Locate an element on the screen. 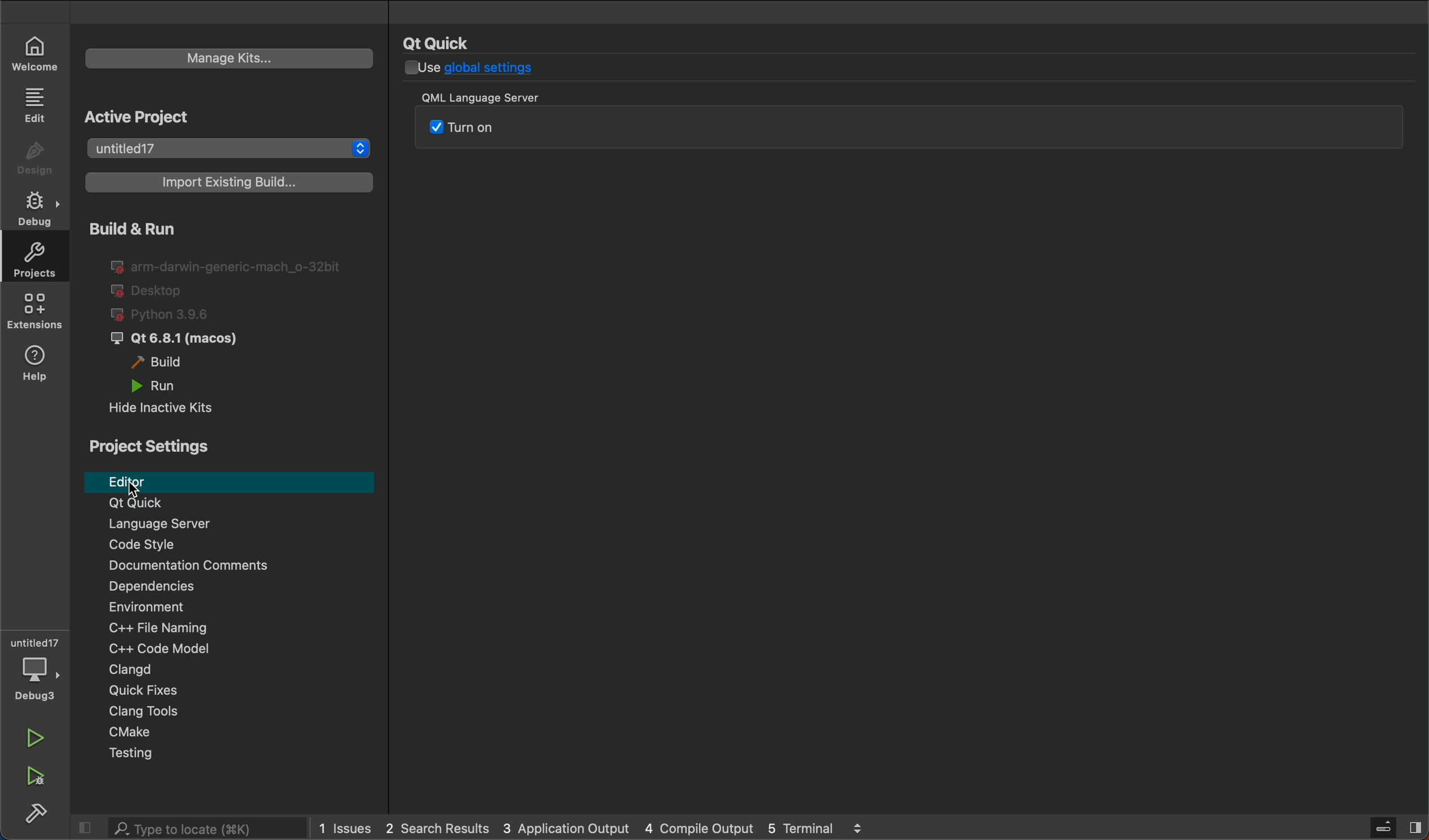 This screenshot has height=840, width=1429. Environment  is located at coordinates (237, 609).